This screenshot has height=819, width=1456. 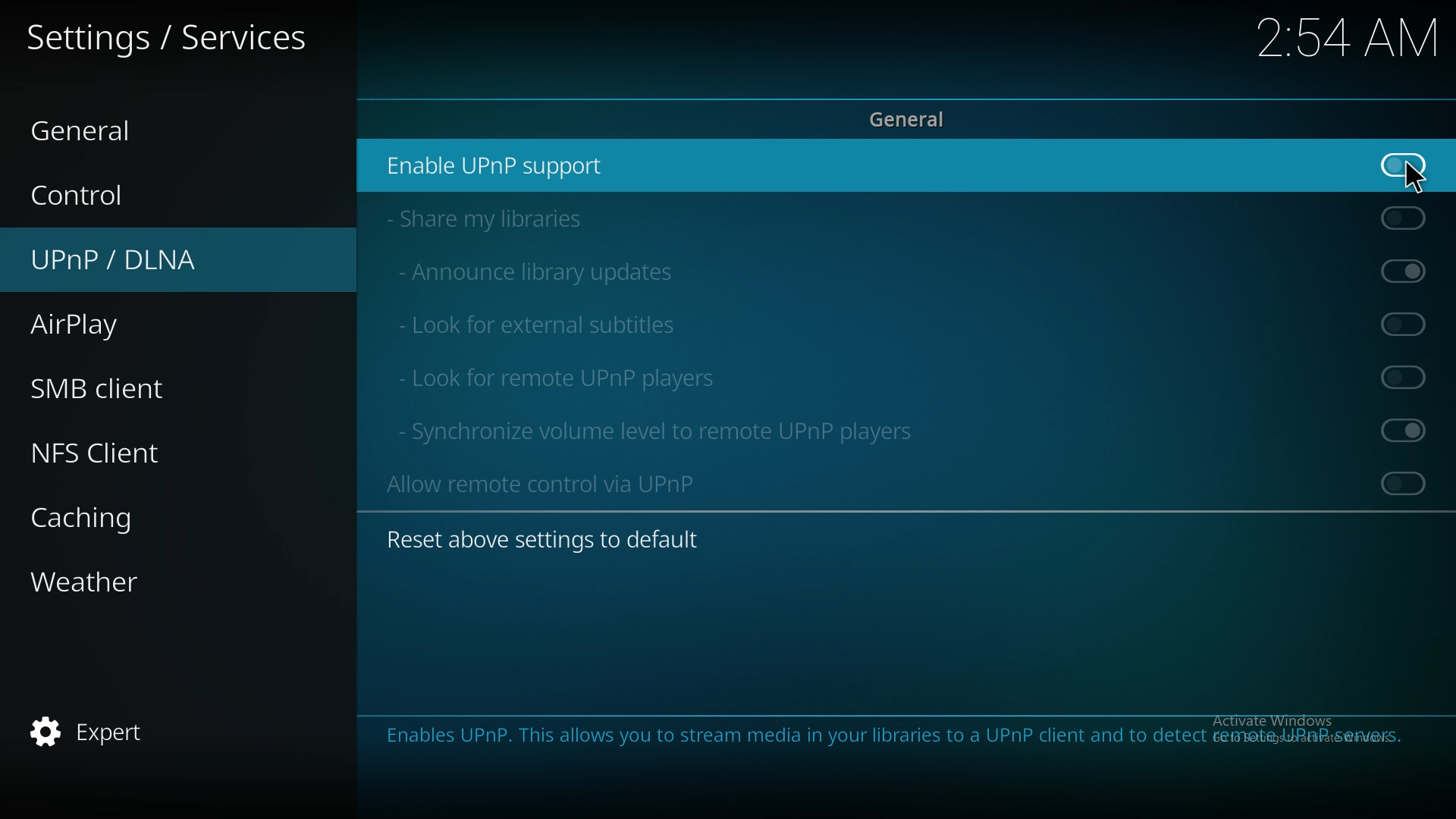 I want to click on pointer cursor, so click(x=1401, y=176).